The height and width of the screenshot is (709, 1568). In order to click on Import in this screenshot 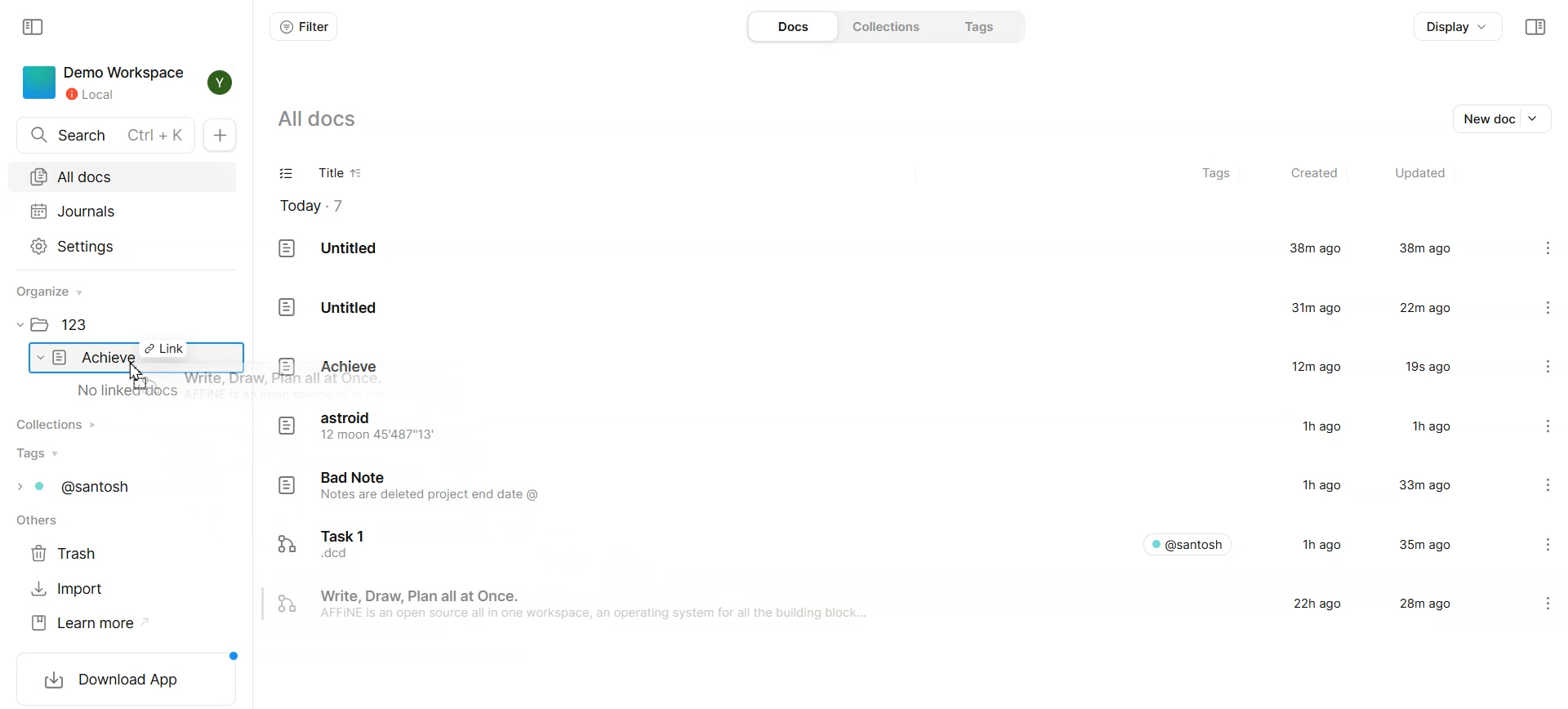, I will do `click(69, 589)`.